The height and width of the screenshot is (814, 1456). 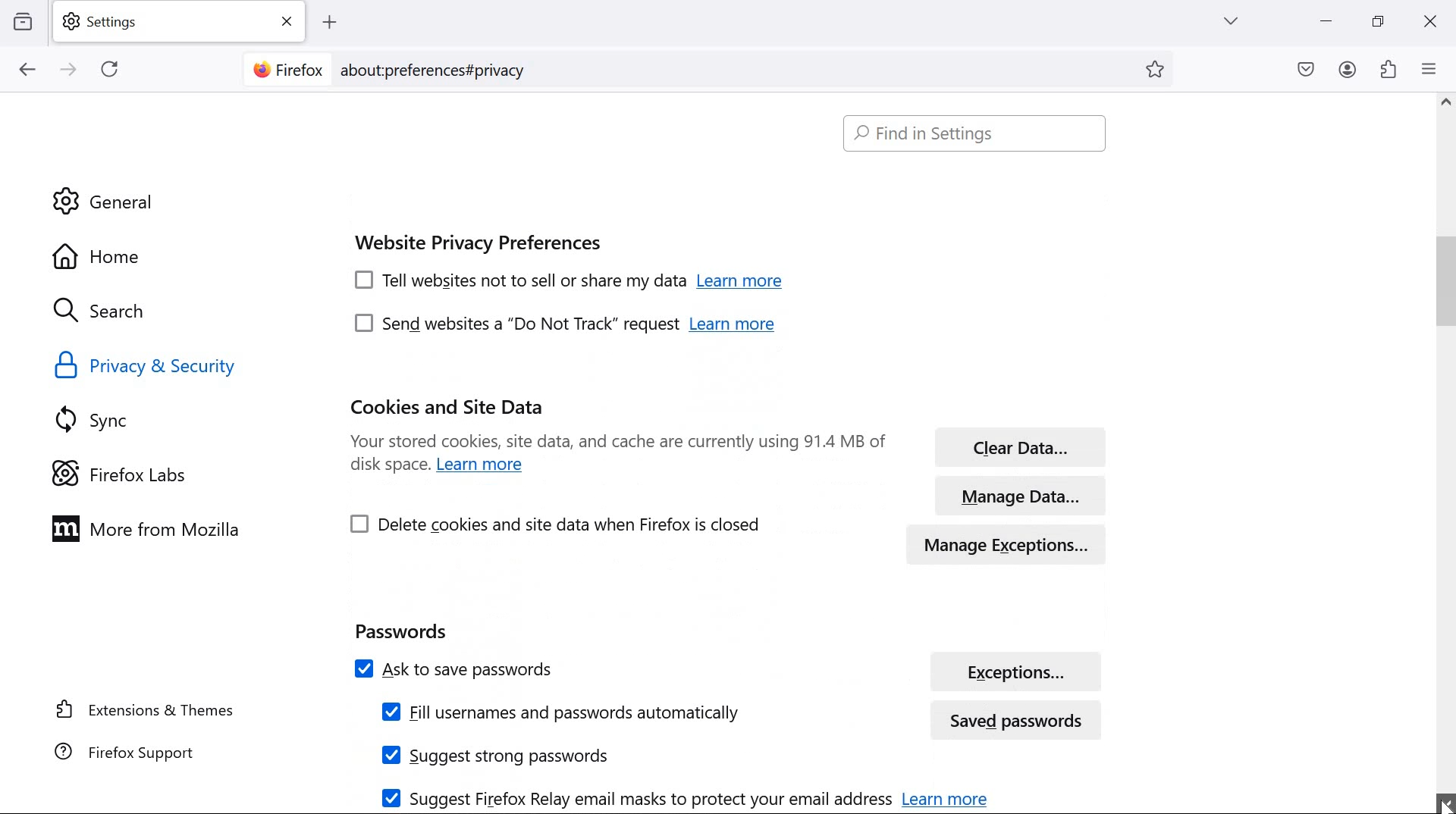 What do you see at coordinates (608, 408) in the screenshot?
I see `cookies & site data` at bounding box center [608, 408].